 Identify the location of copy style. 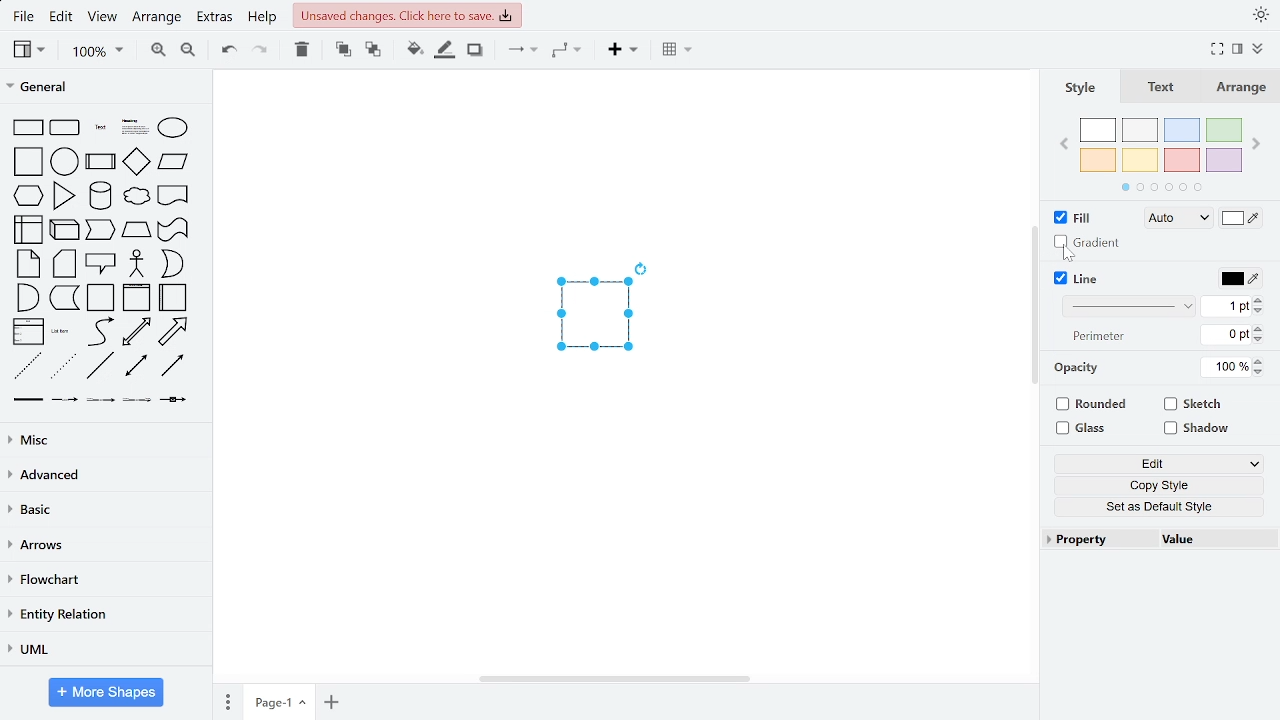
(1162, 486).